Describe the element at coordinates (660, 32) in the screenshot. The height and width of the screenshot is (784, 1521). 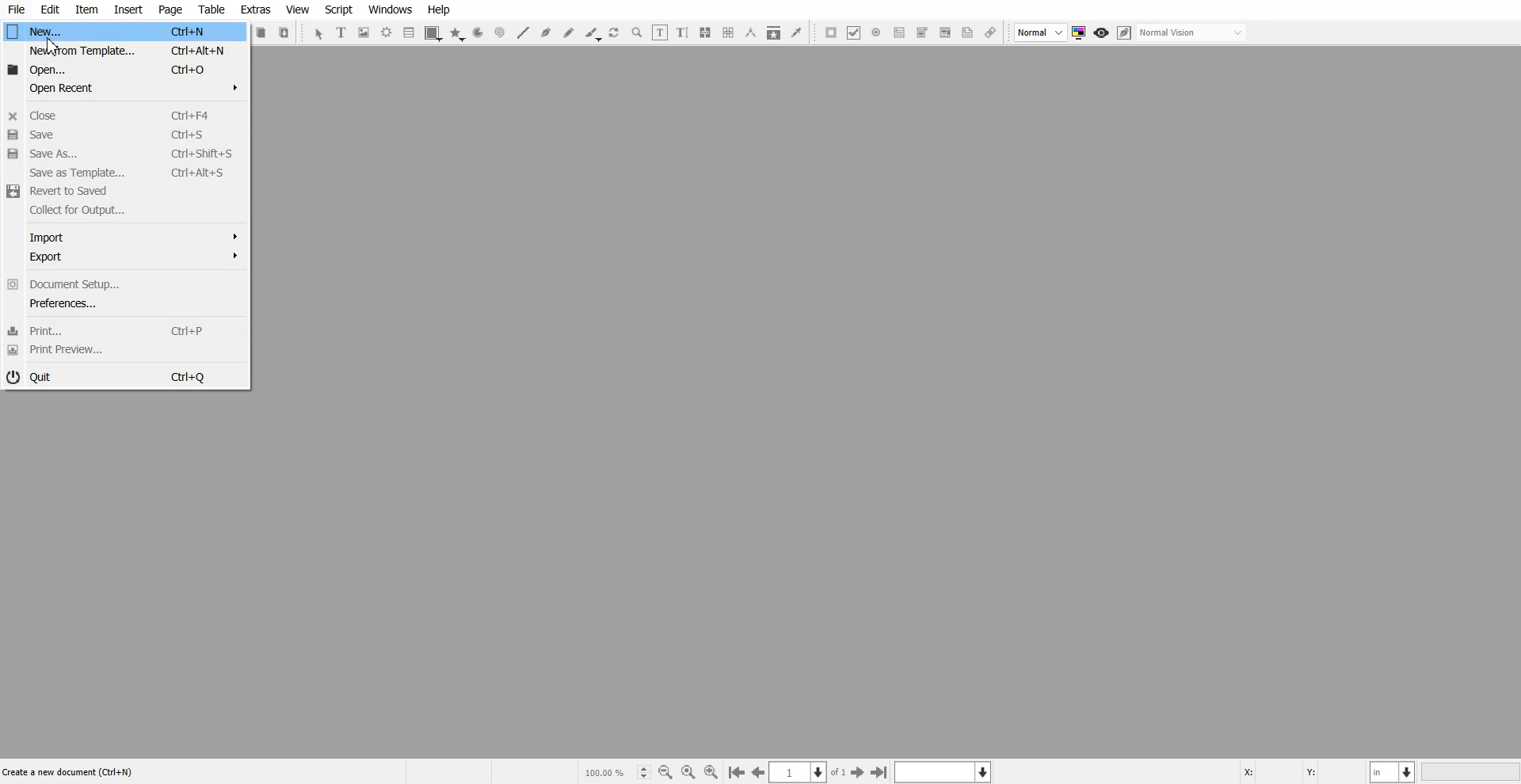
I see `Edit contents of frame` at that location.